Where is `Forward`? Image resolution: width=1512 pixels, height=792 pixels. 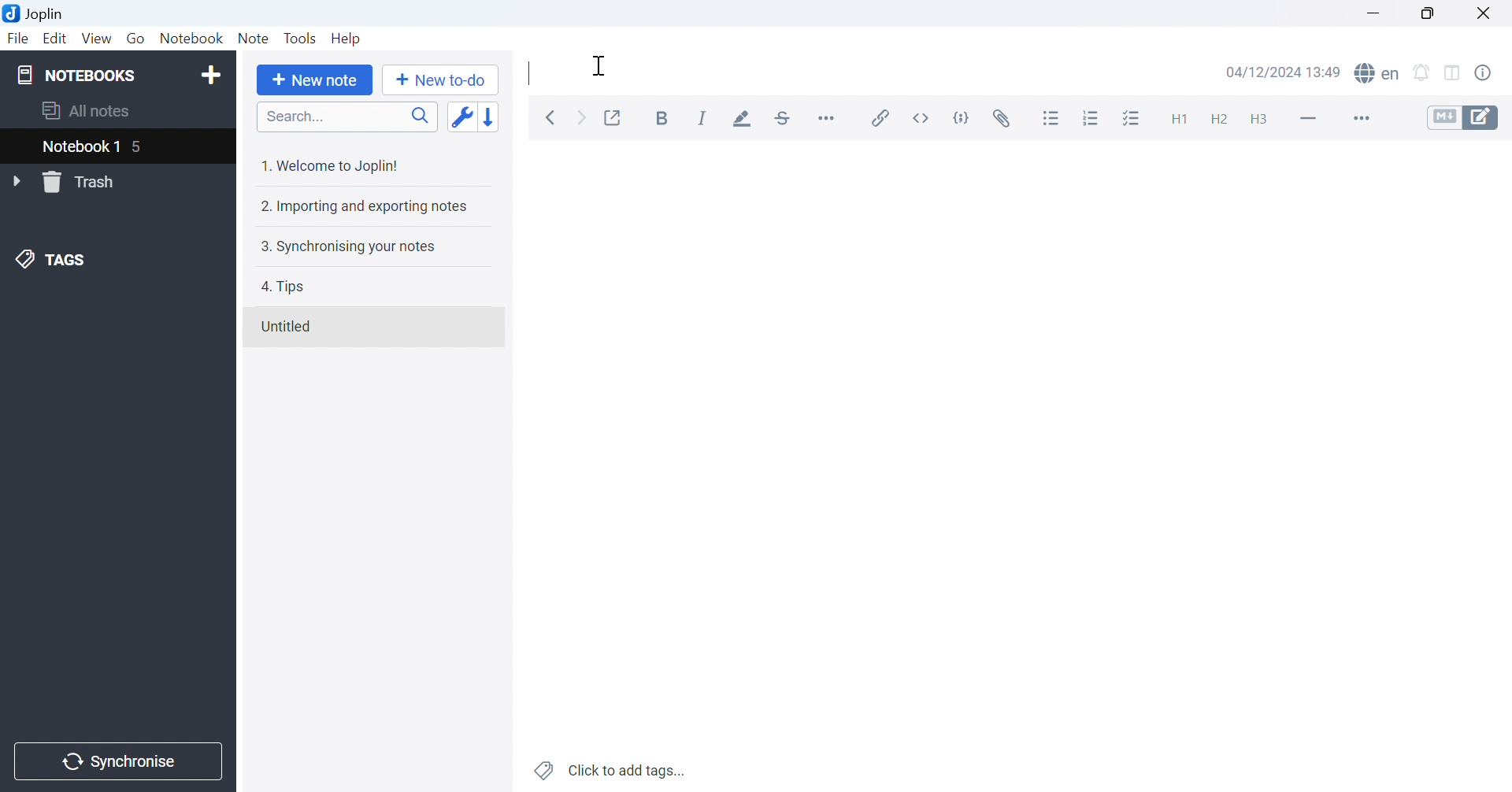
Forward is located at coordinates (584, 120).